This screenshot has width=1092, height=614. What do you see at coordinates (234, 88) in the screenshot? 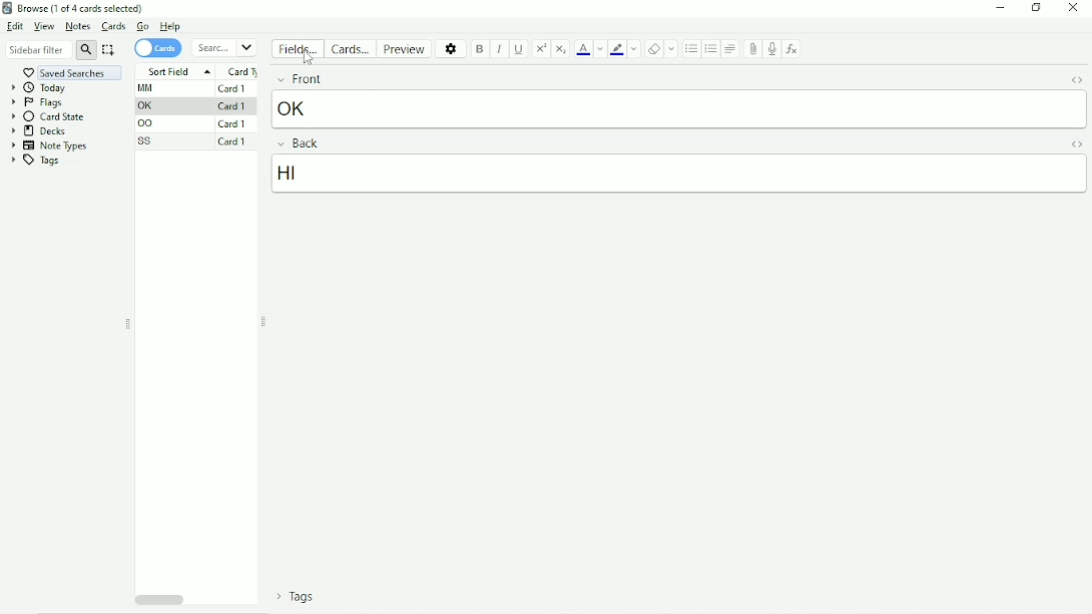
I see `Card 1` at bounding box center [234, 88].